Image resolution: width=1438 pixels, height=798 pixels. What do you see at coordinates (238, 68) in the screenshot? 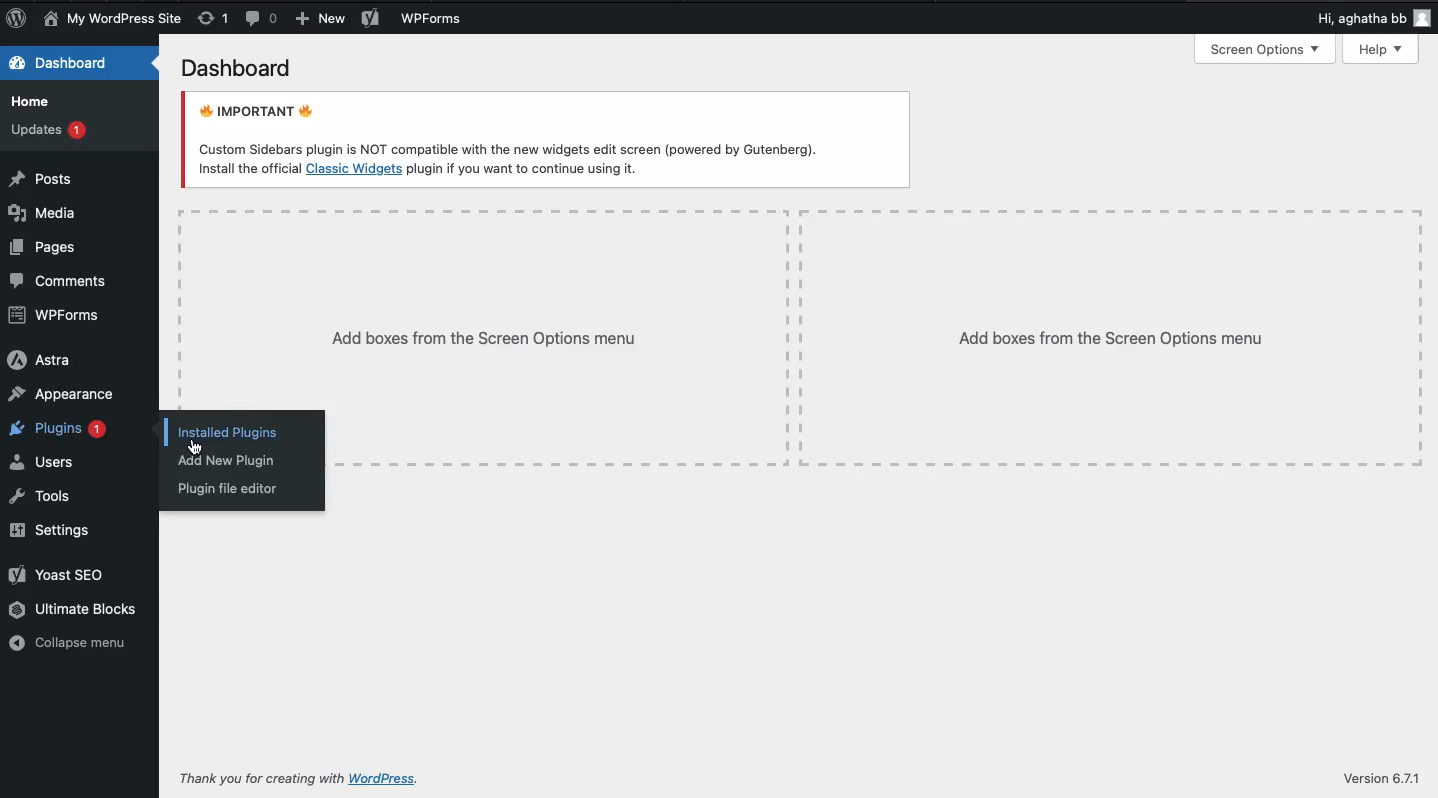
I see `Dashboard` at bounding box center [238, 68].